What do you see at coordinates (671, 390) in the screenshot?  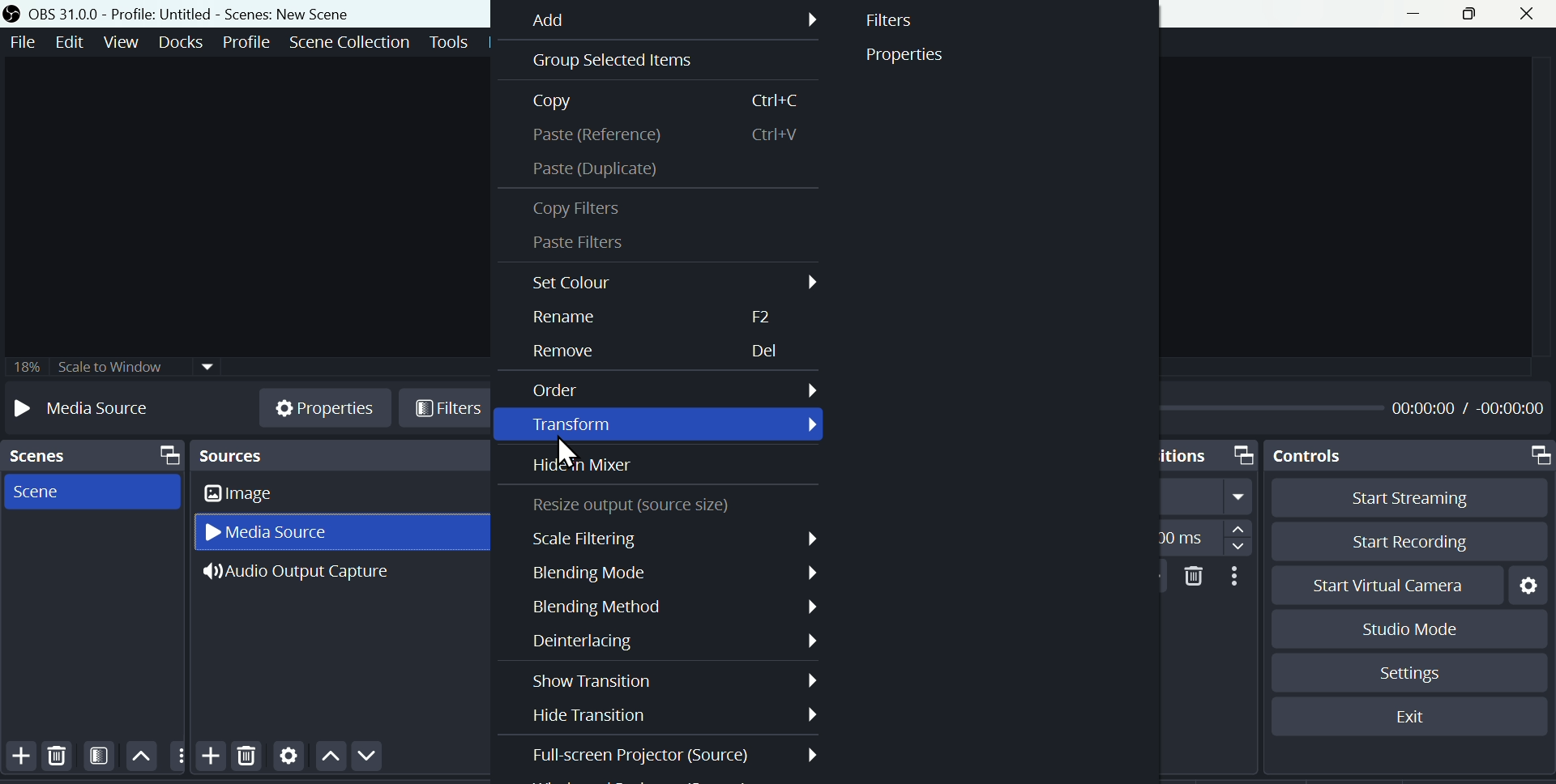 I see `Order` at bounding box center [671, 390].